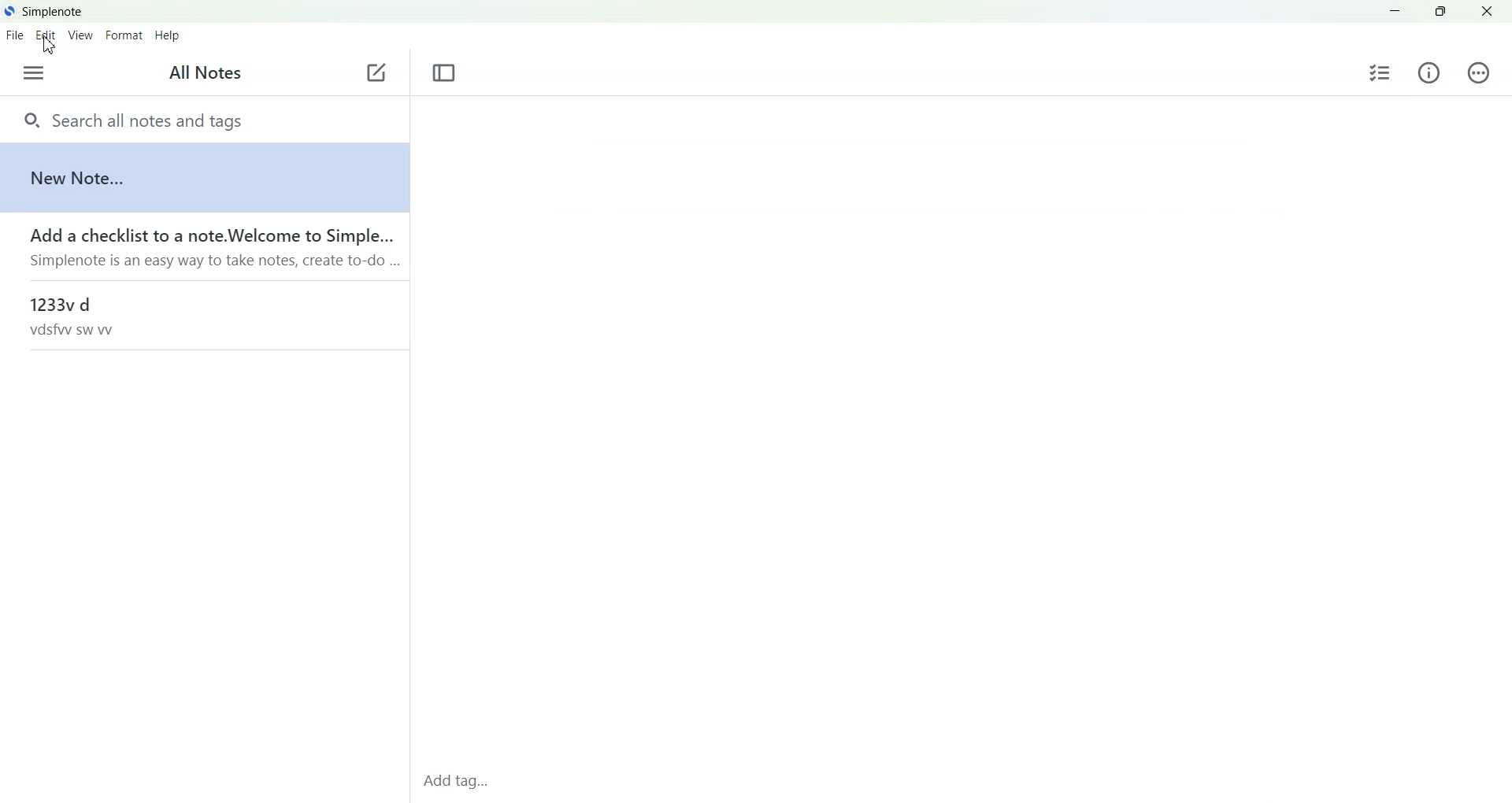  What do you see at coordinates (1380, 72) in the screenshot?
I see `Insert Checklist` at bounding box center [1380, 72].